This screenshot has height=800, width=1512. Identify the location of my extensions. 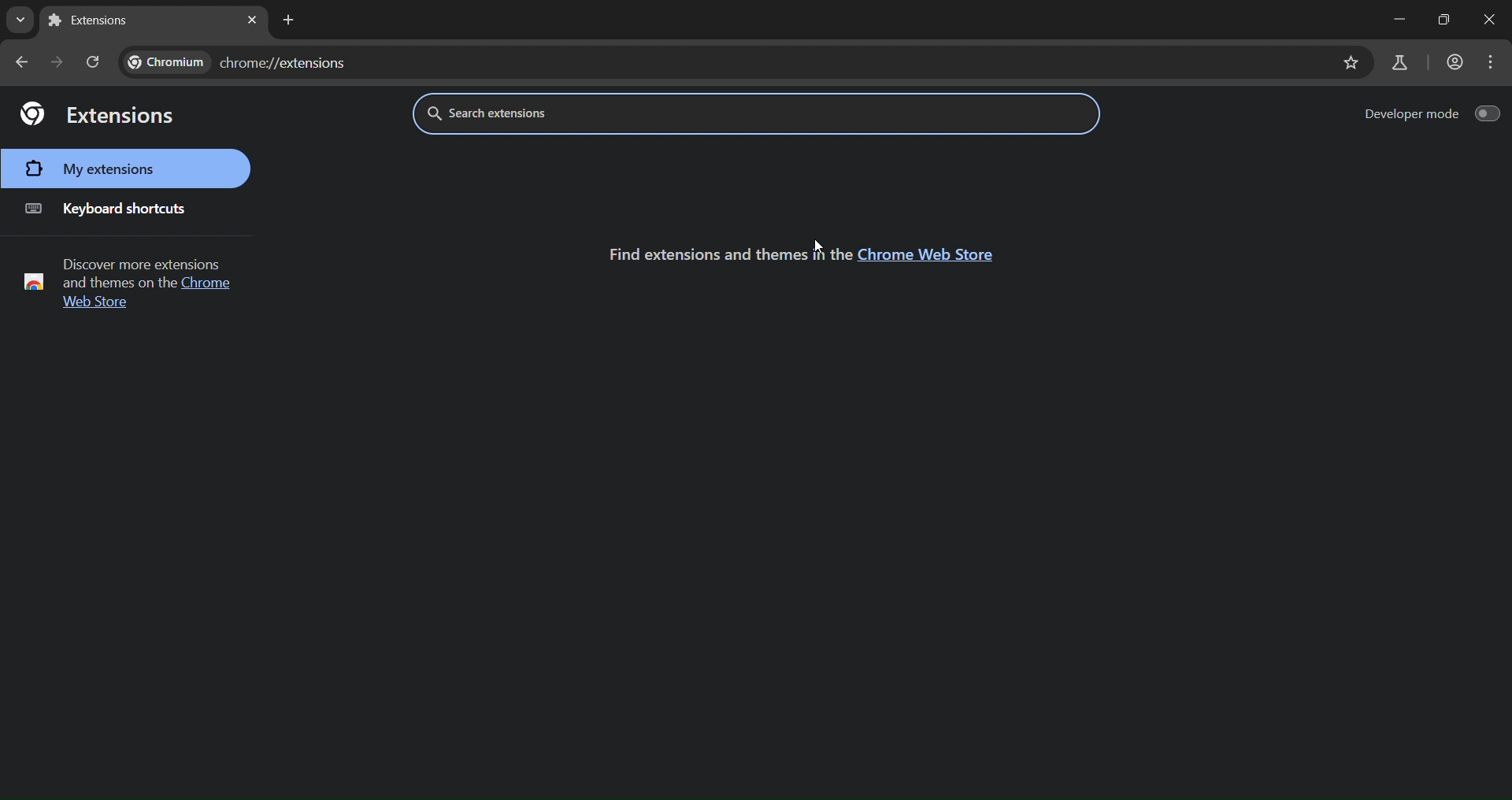
(93, 170).